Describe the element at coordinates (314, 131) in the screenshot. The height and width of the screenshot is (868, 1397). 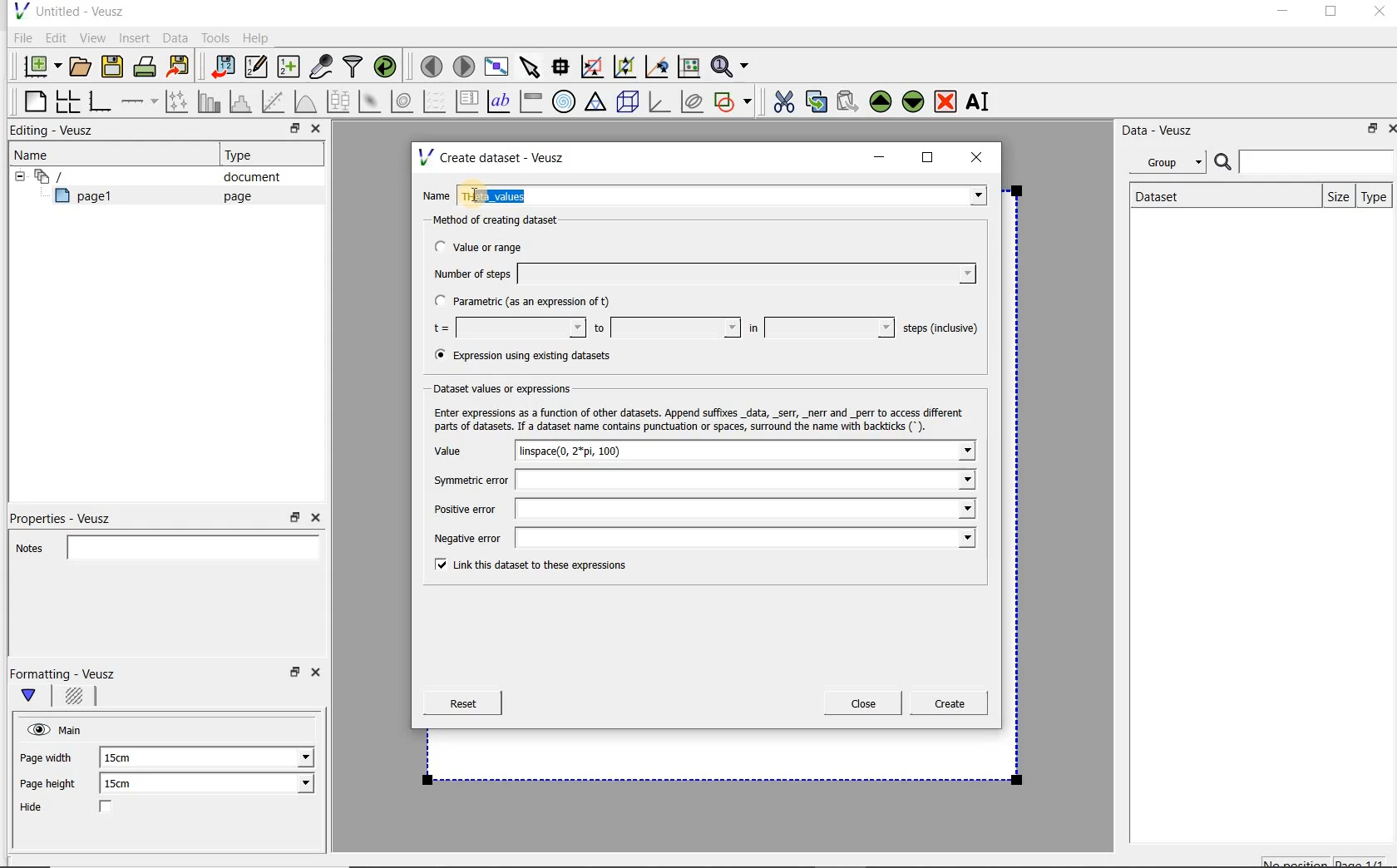
I see `Close` at that location.